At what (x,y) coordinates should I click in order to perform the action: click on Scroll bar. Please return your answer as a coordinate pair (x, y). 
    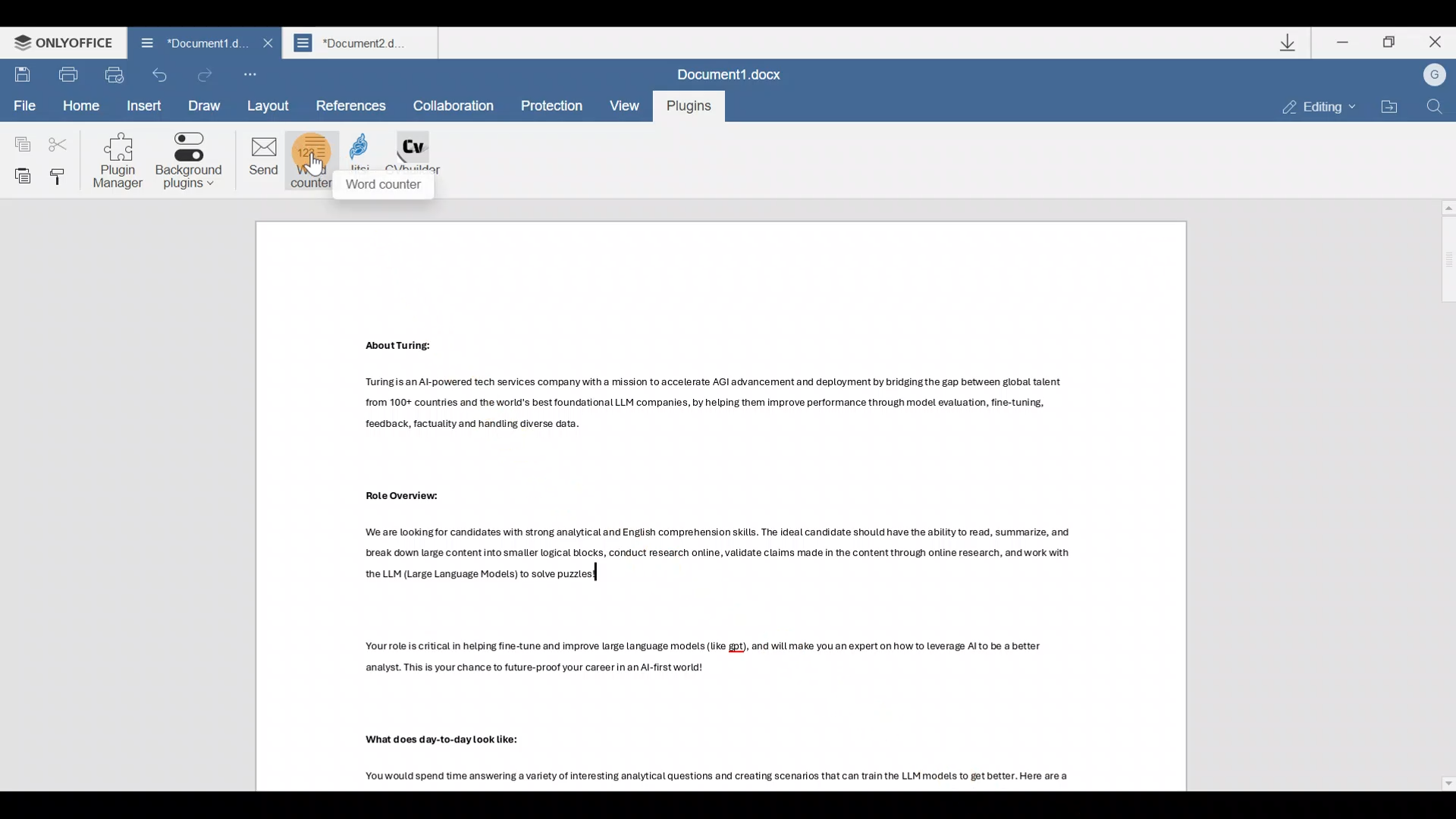
    Looking at the image, I should click on (1442, 494).